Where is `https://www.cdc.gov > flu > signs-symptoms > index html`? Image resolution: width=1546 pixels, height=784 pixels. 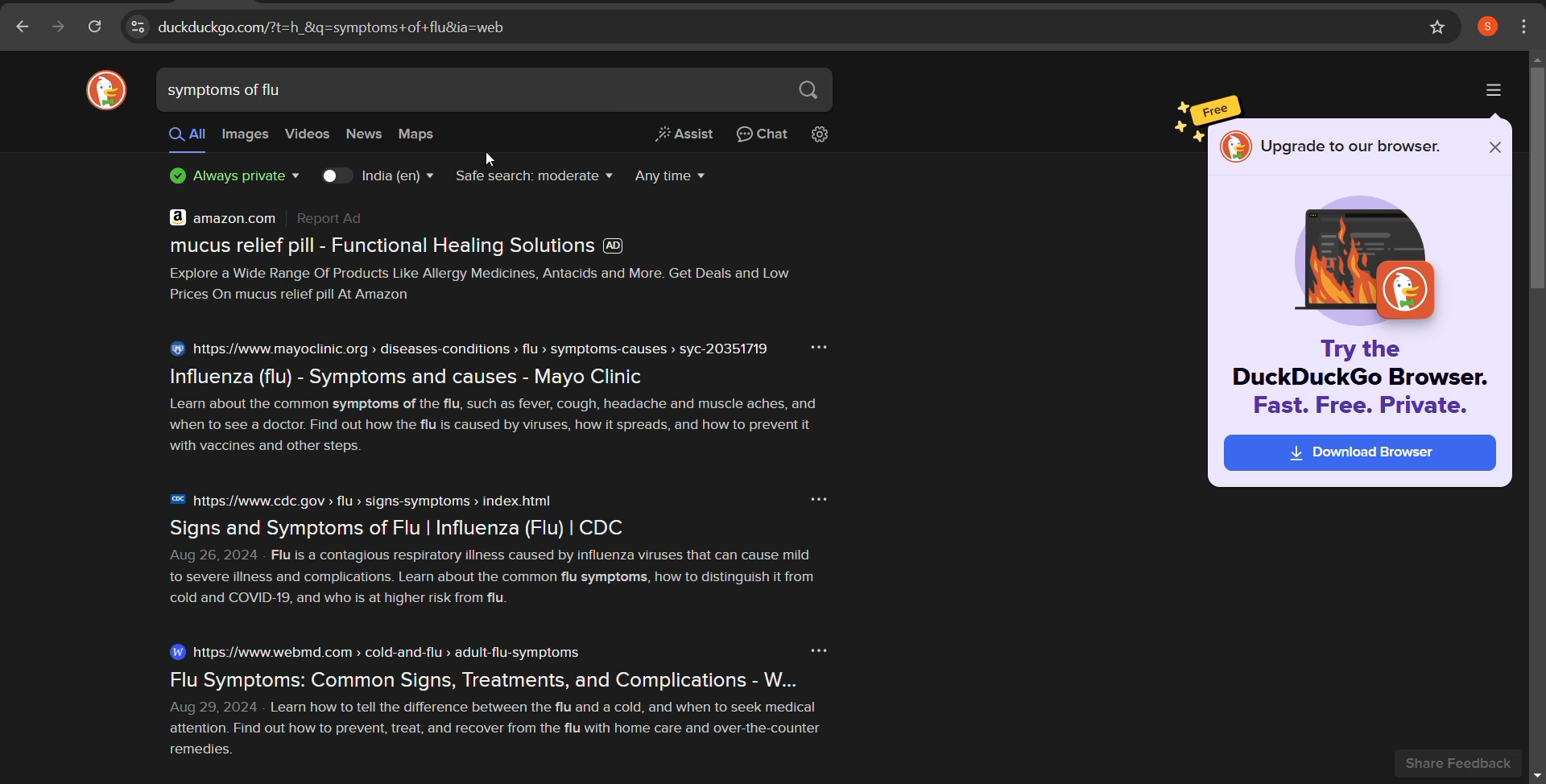 https://www.cdc.gov > flu > signs-symptoms > index html is located at coordinates (366, 499).